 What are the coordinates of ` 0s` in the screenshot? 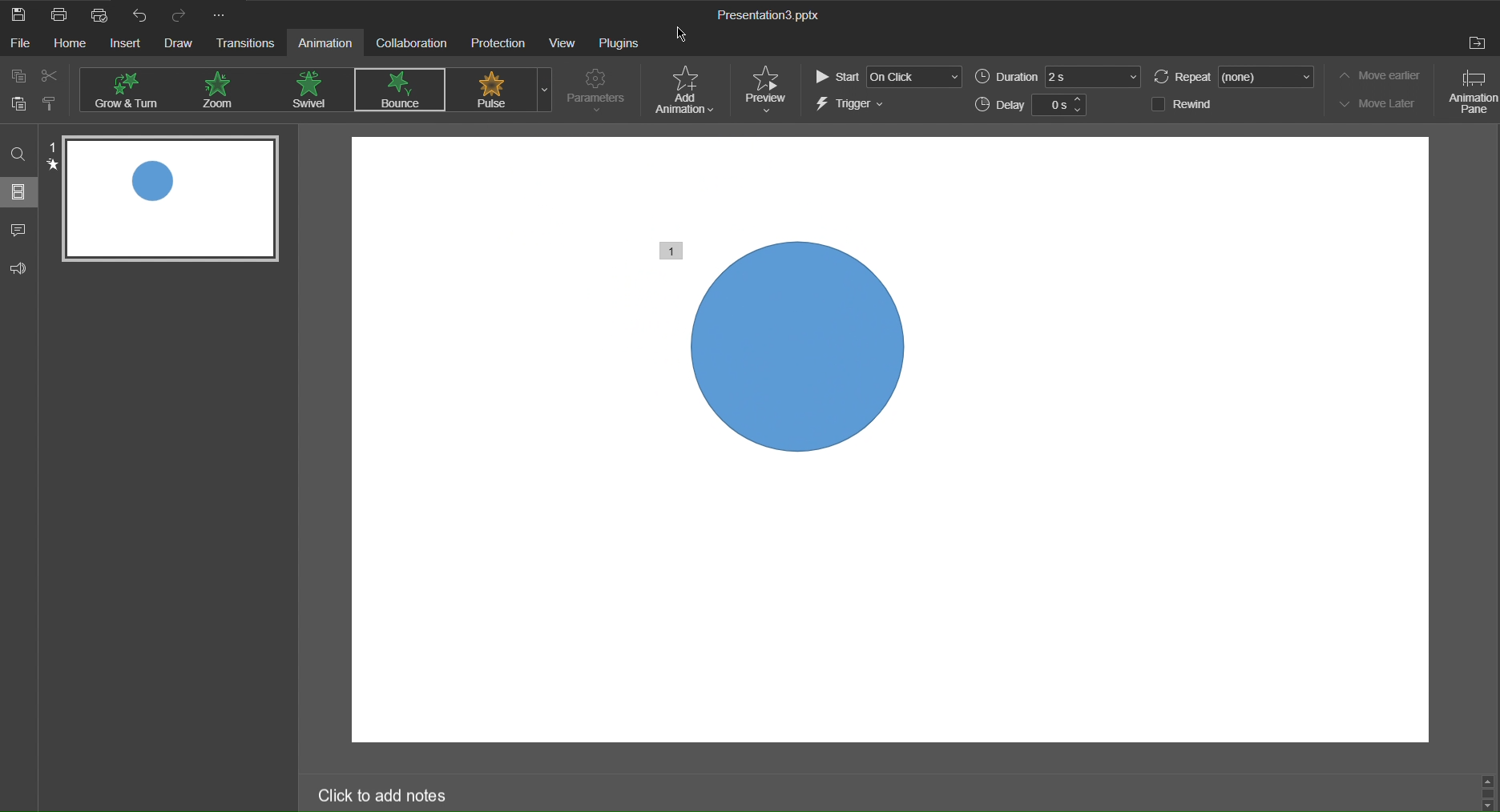 It's located at (1052, 106).